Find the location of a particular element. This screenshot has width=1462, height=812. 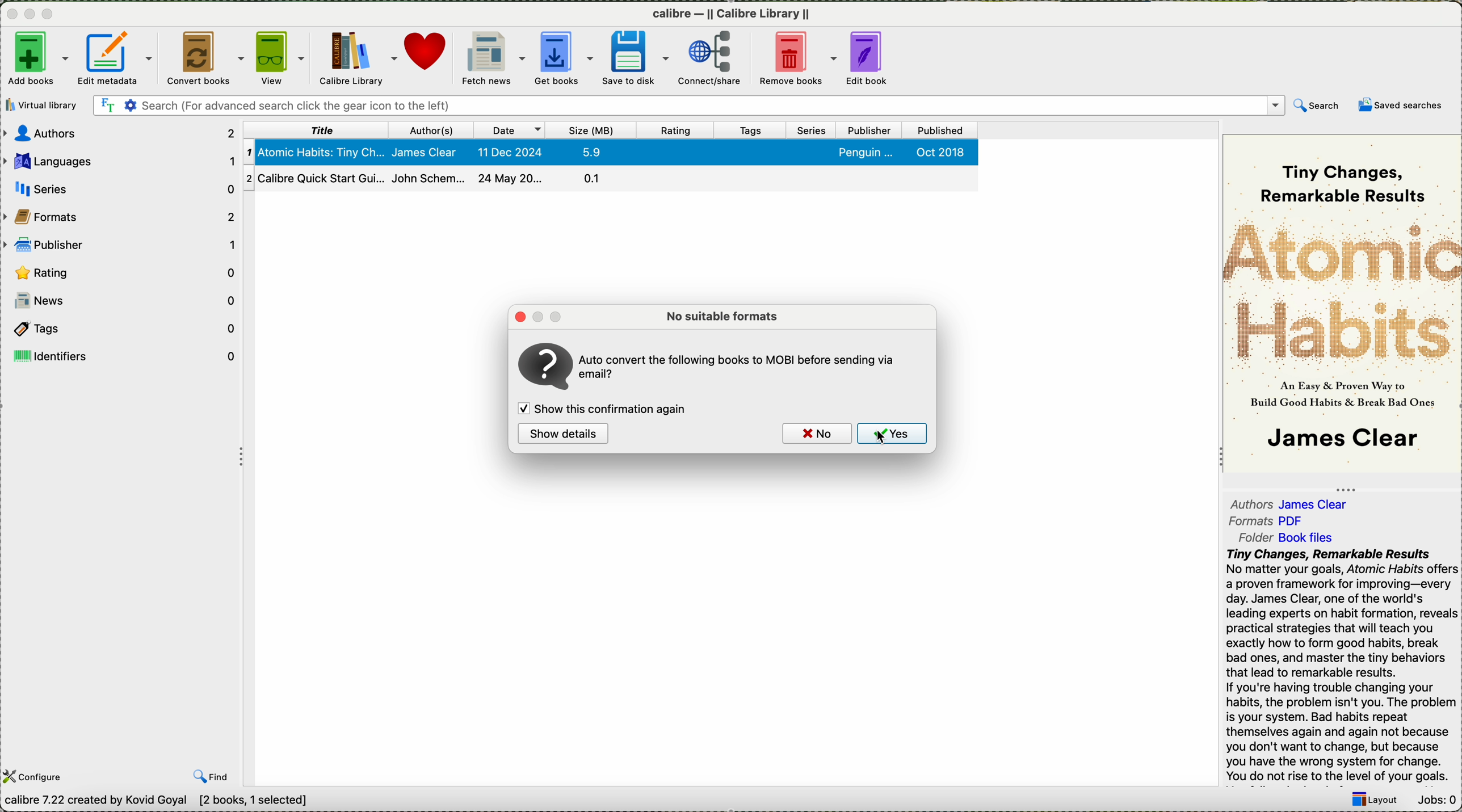

click on connect/share is located at coordinates (710, 60).